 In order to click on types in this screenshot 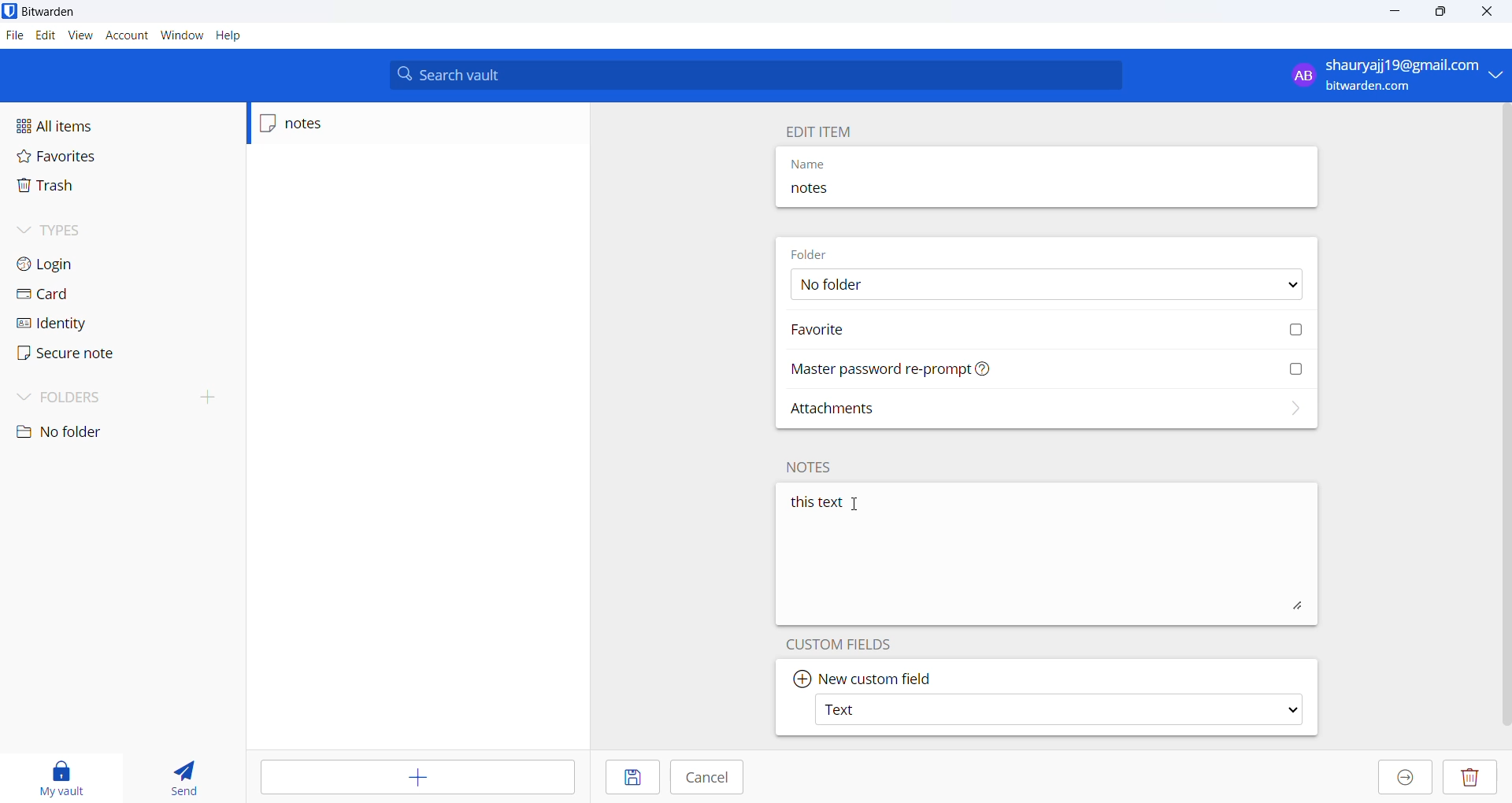, I will do `click(72, 230)`.